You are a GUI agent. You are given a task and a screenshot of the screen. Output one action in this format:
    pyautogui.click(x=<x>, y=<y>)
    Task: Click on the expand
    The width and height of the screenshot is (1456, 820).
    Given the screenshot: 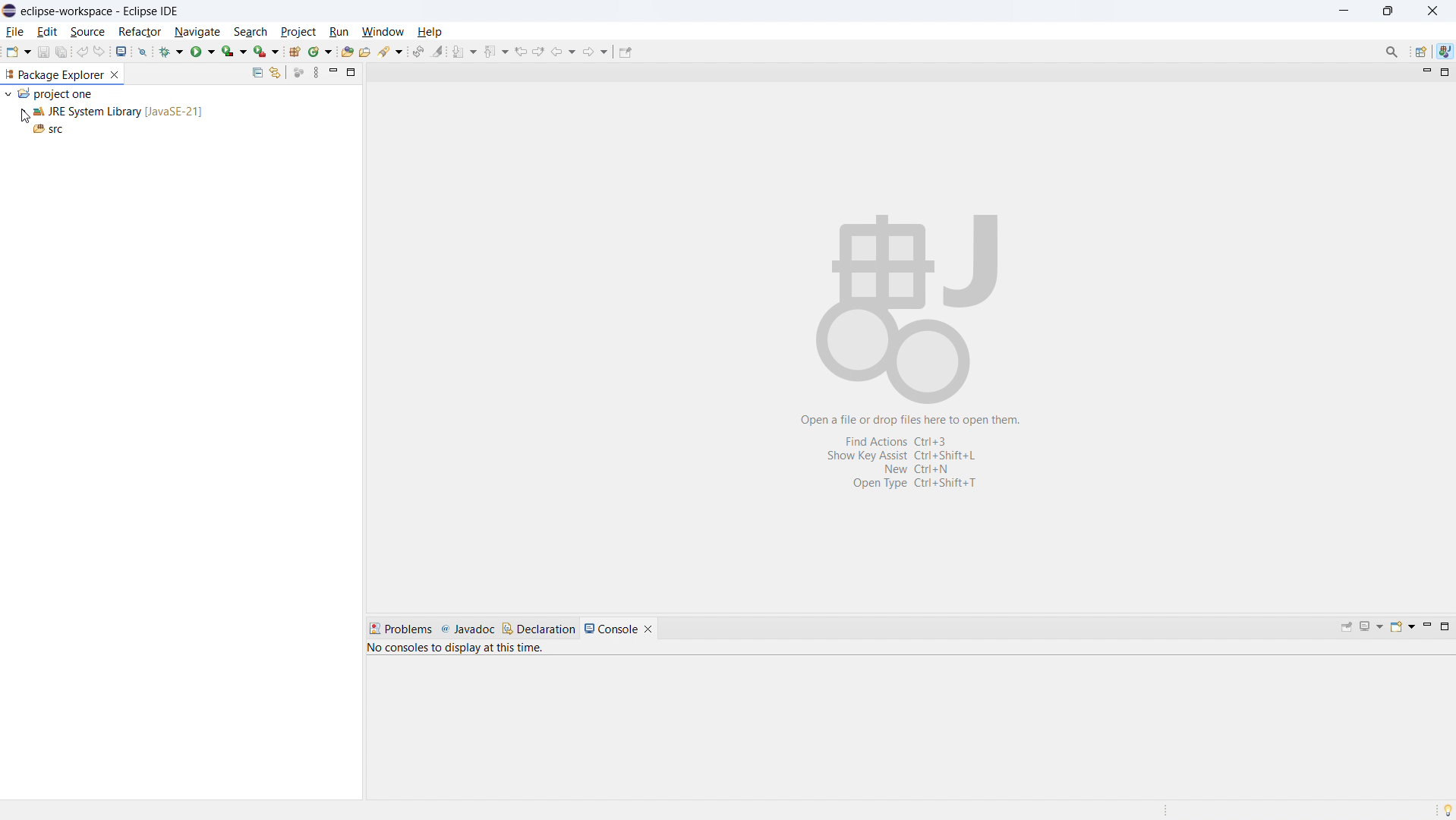 What is the action you would take?
    pyautogui.click(x=8, y=93)
    